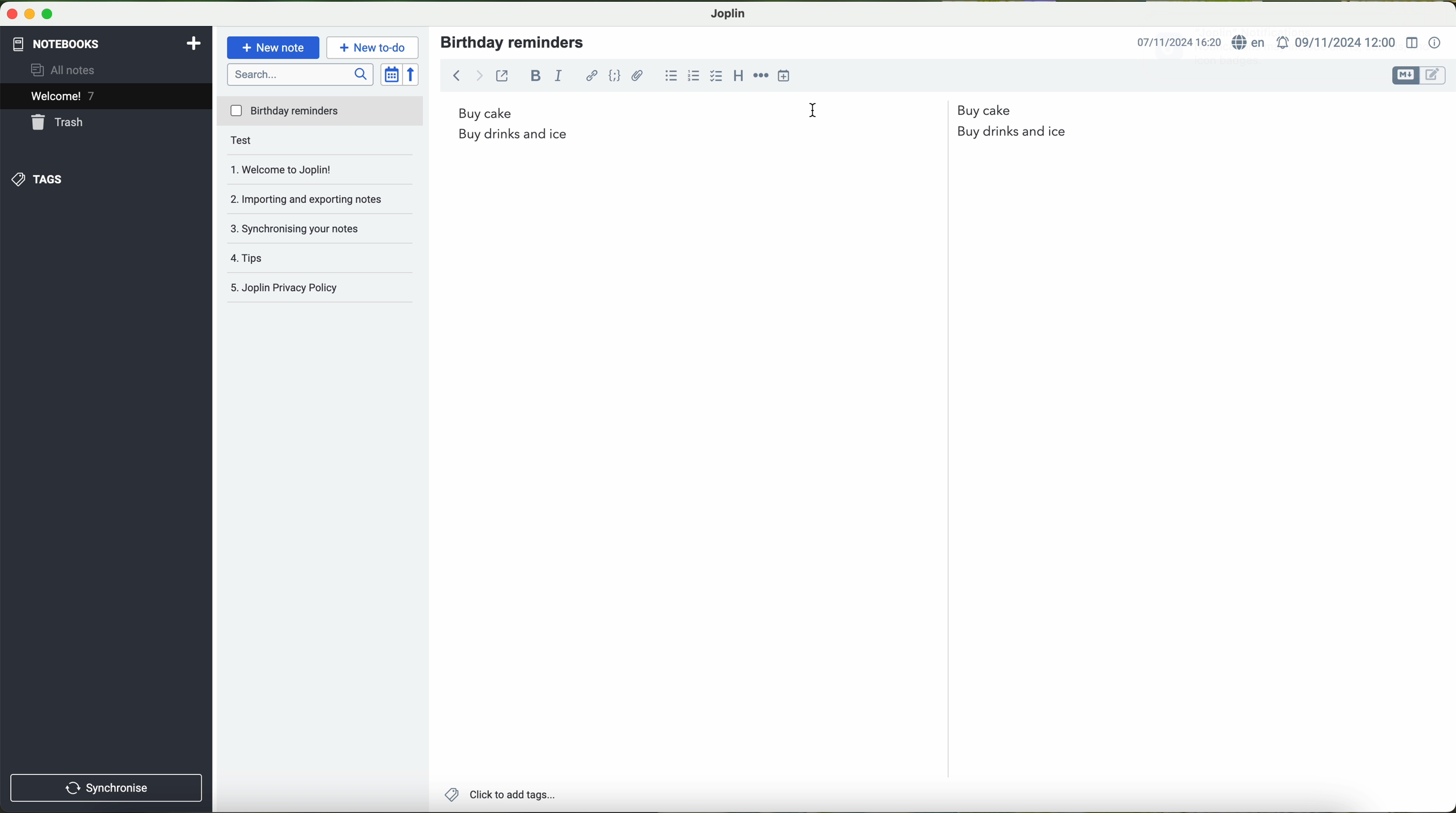 The height and width of the screenshot is (813, 1456). Describe the element at coordinates (33, 13) in the screenshot. I see `screen buttons` at that location.